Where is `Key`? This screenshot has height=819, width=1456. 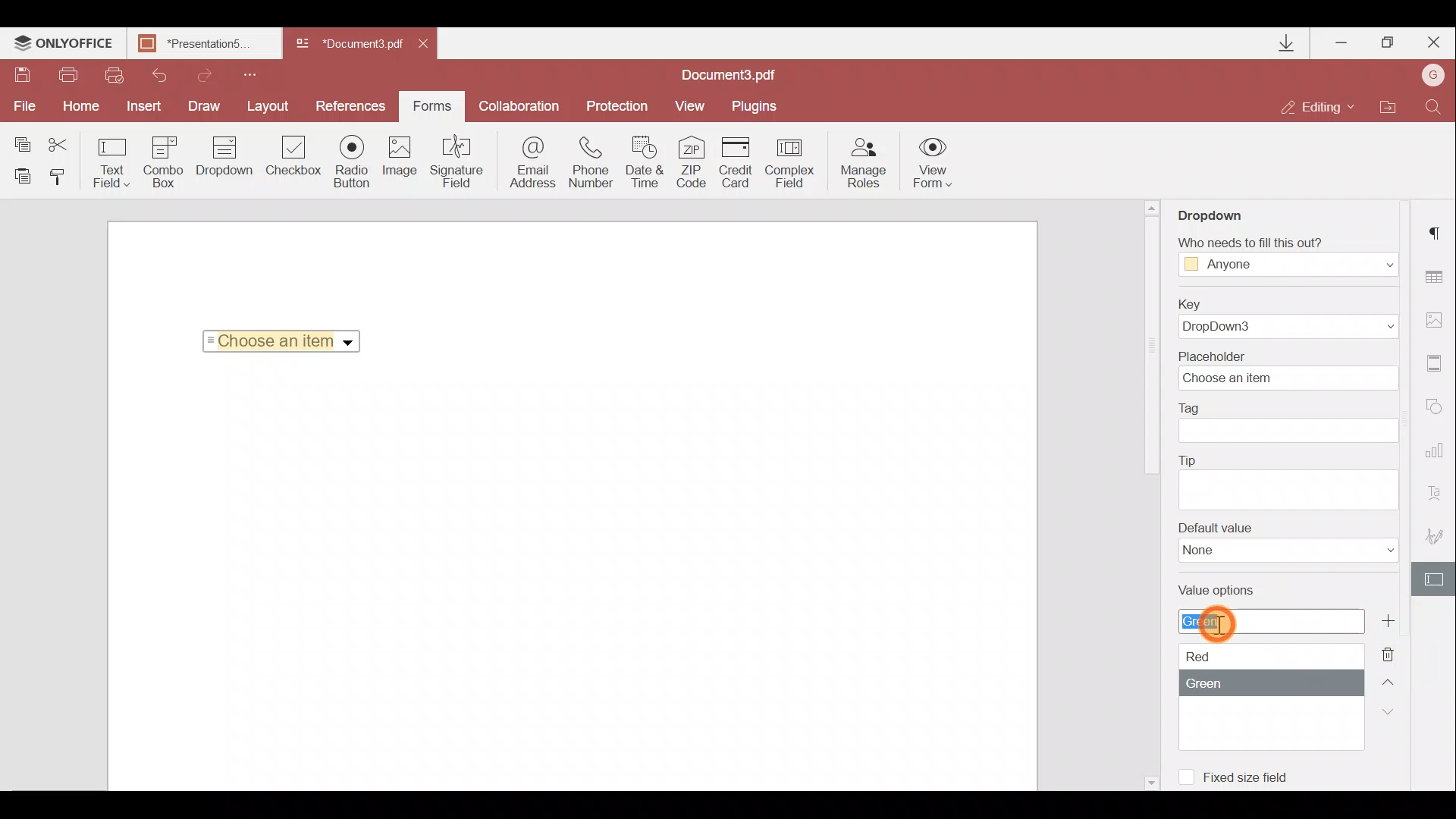
Key is located at coordinates (1292, 317).